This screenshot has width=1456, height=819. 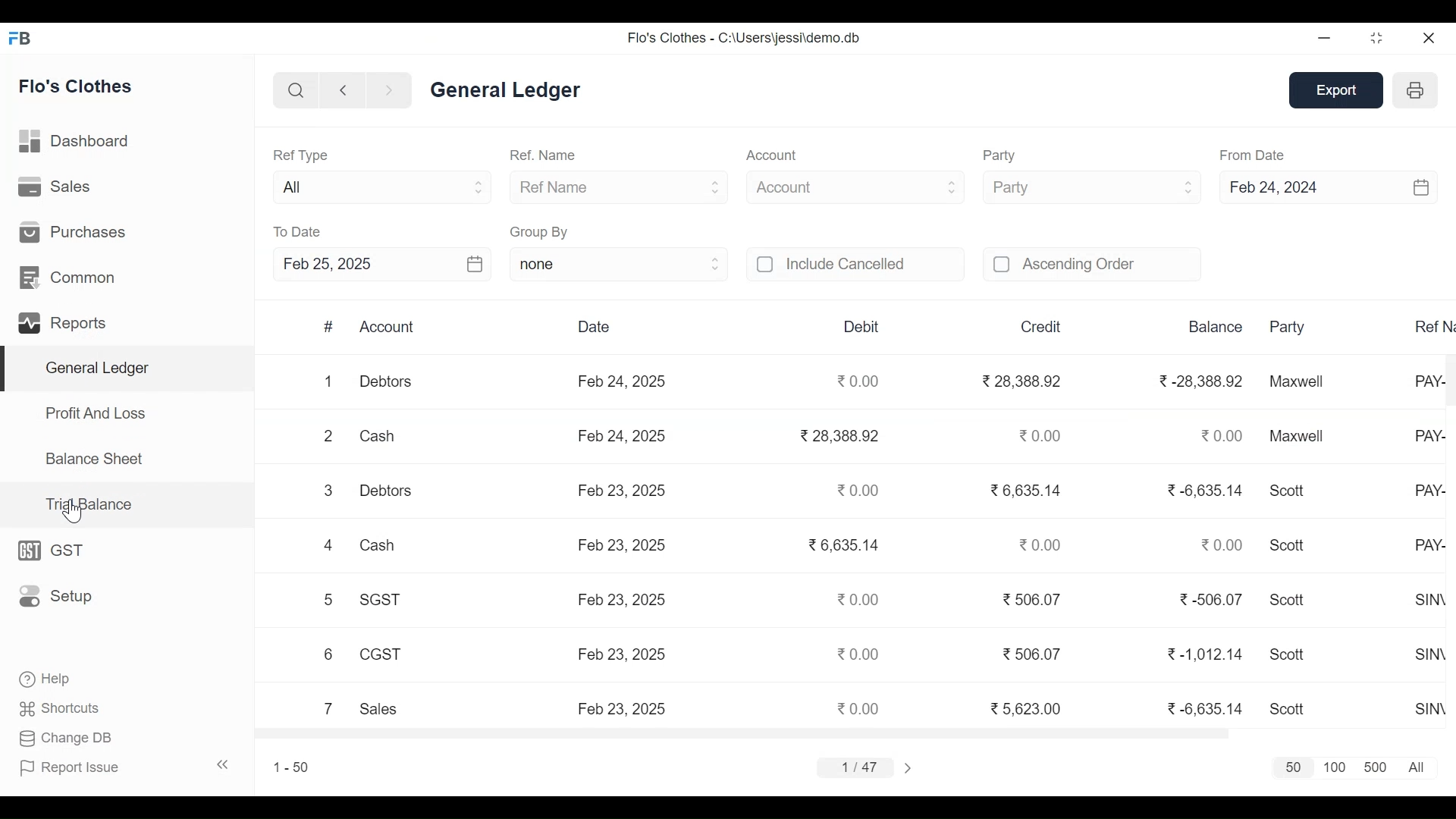 I want to click on All, so click(x=1417, y=767).